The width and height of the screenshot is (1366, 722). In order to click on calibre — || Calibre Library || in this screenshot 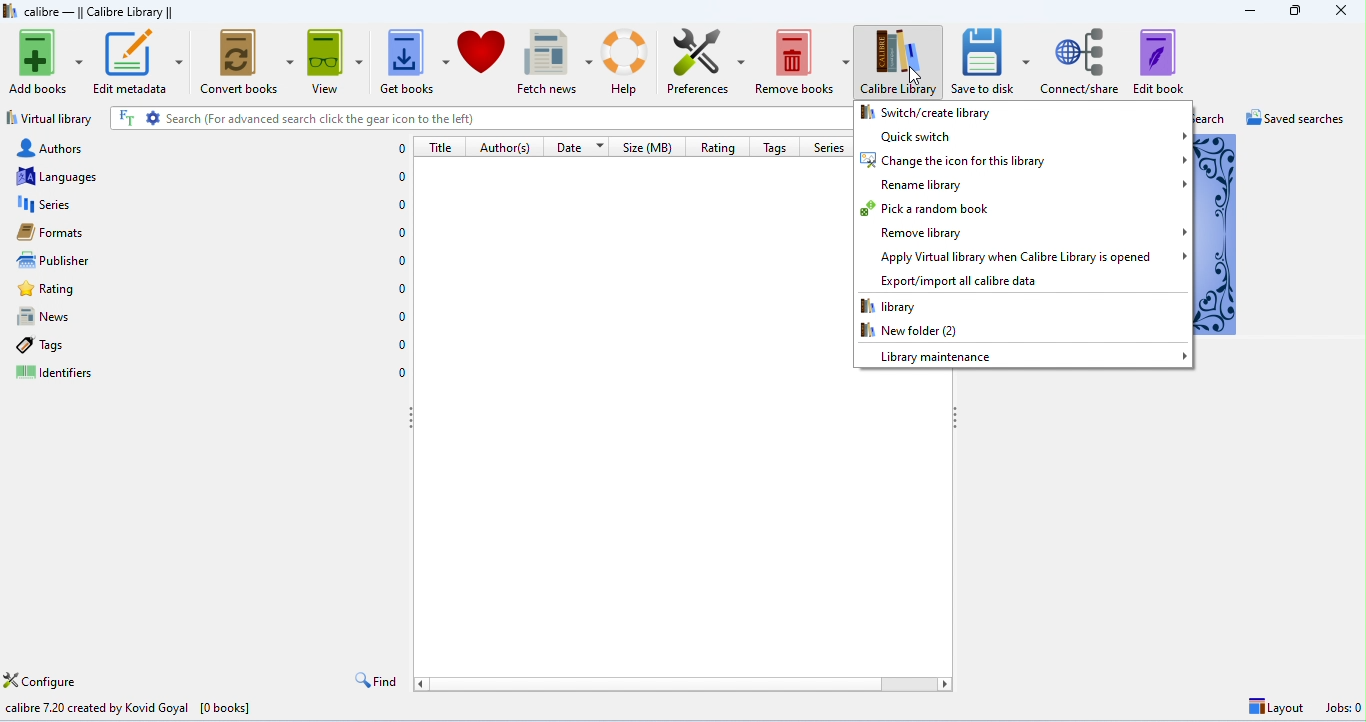, I will do `click(103, 13)`.